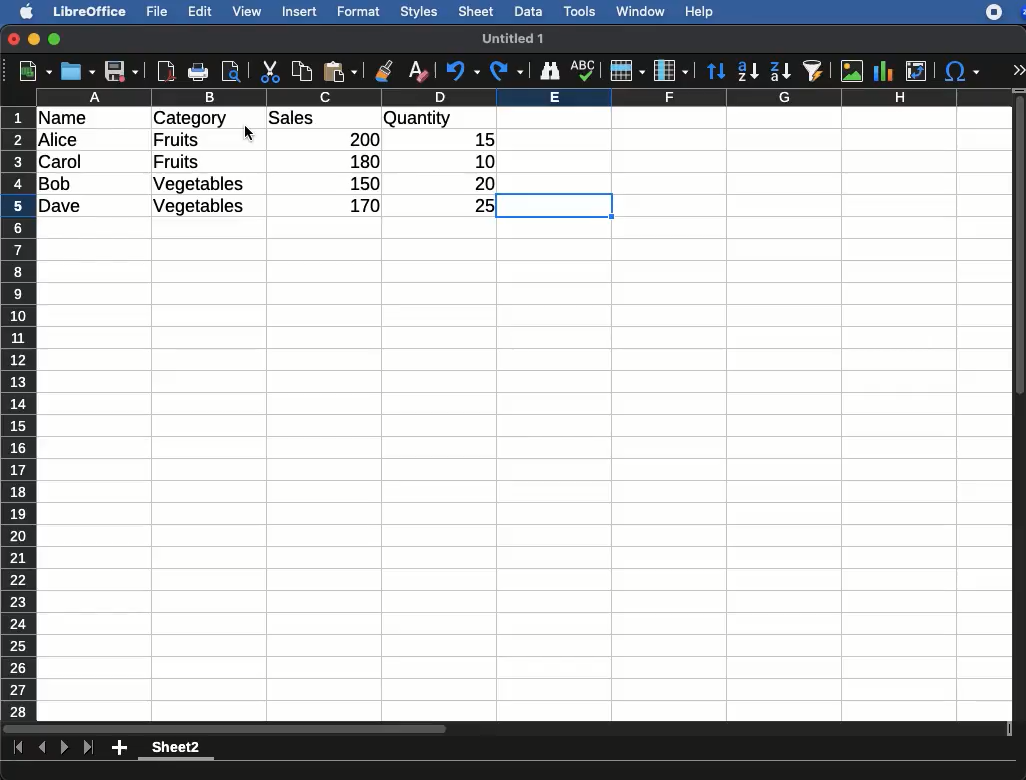 The image size is (1026, 780). What do you see at coordinates (167, 71) in the screenshot?
I see `pdf preview` at bounding box center [167, 71].